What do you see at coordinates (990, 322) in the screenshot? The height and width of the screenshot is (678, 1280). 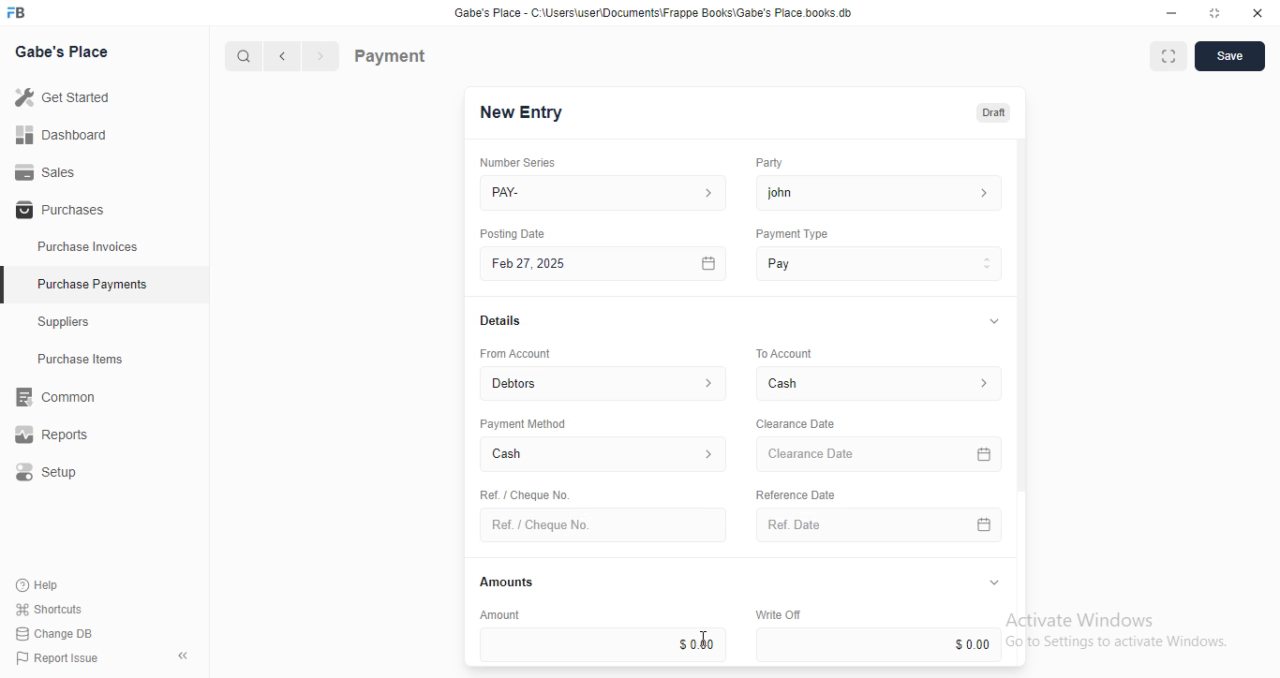 I see `expand/collapse` at bounding box center [990, 322].